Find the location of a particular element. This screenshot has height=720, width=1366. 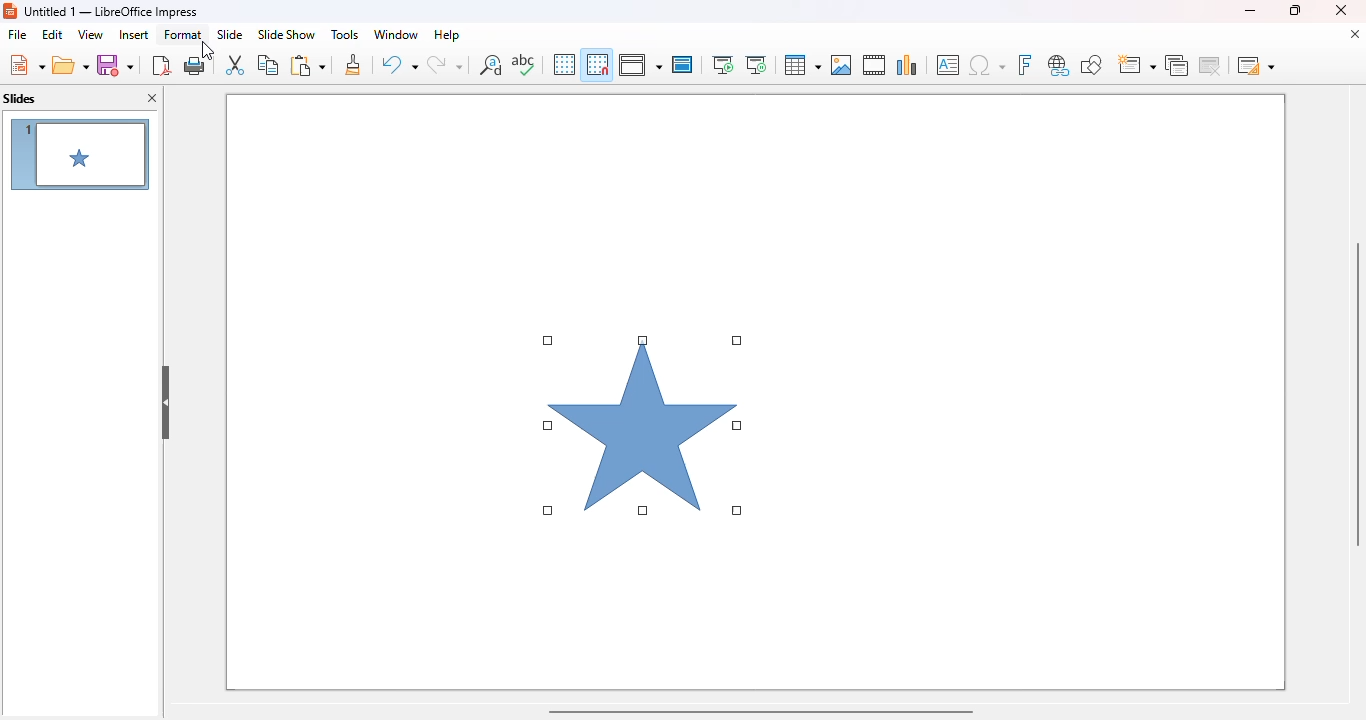

delete slide is located at coordinates (1213, 65).